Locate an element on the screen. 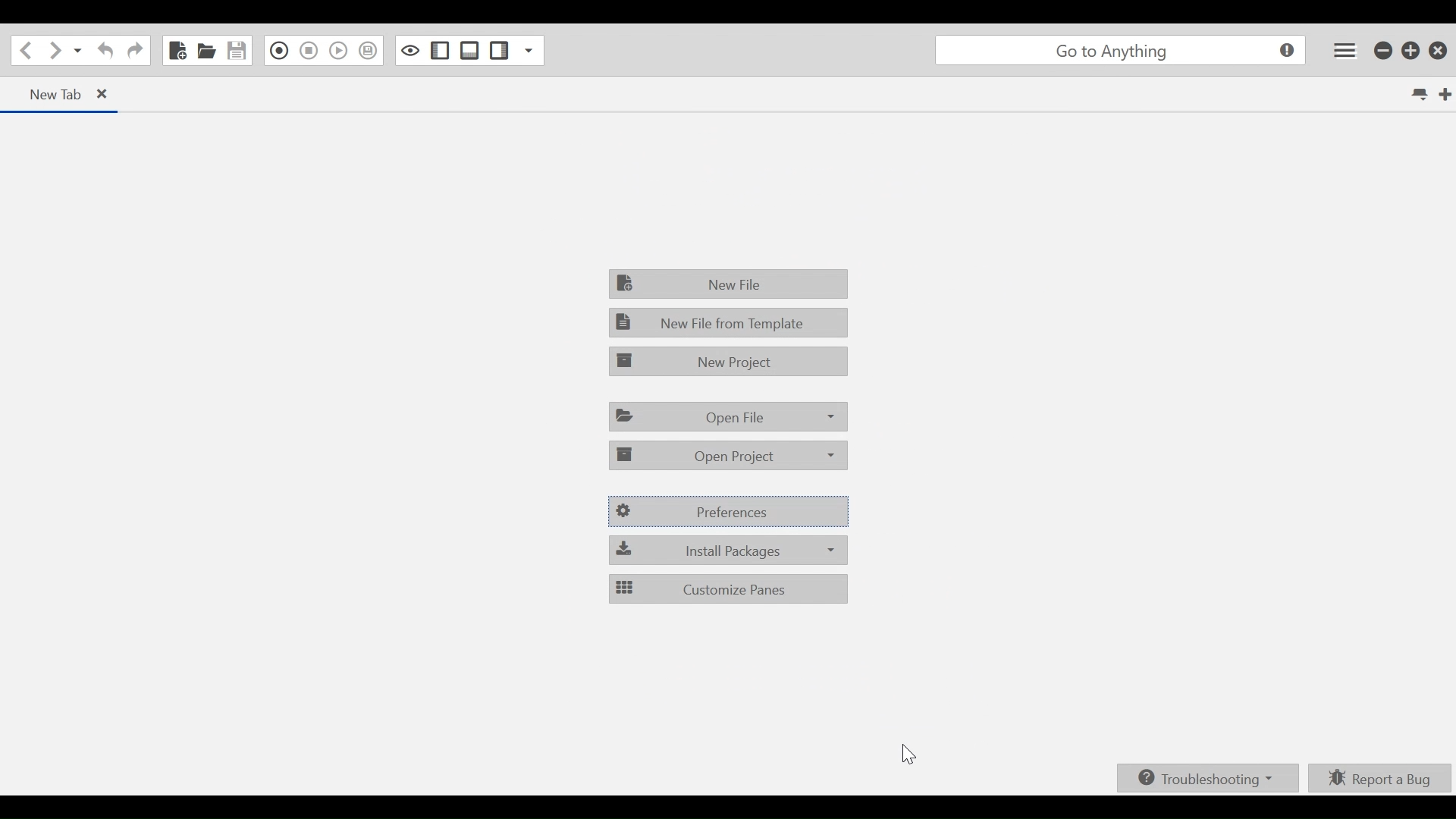  maximize is located at coordinates (1412, 52).